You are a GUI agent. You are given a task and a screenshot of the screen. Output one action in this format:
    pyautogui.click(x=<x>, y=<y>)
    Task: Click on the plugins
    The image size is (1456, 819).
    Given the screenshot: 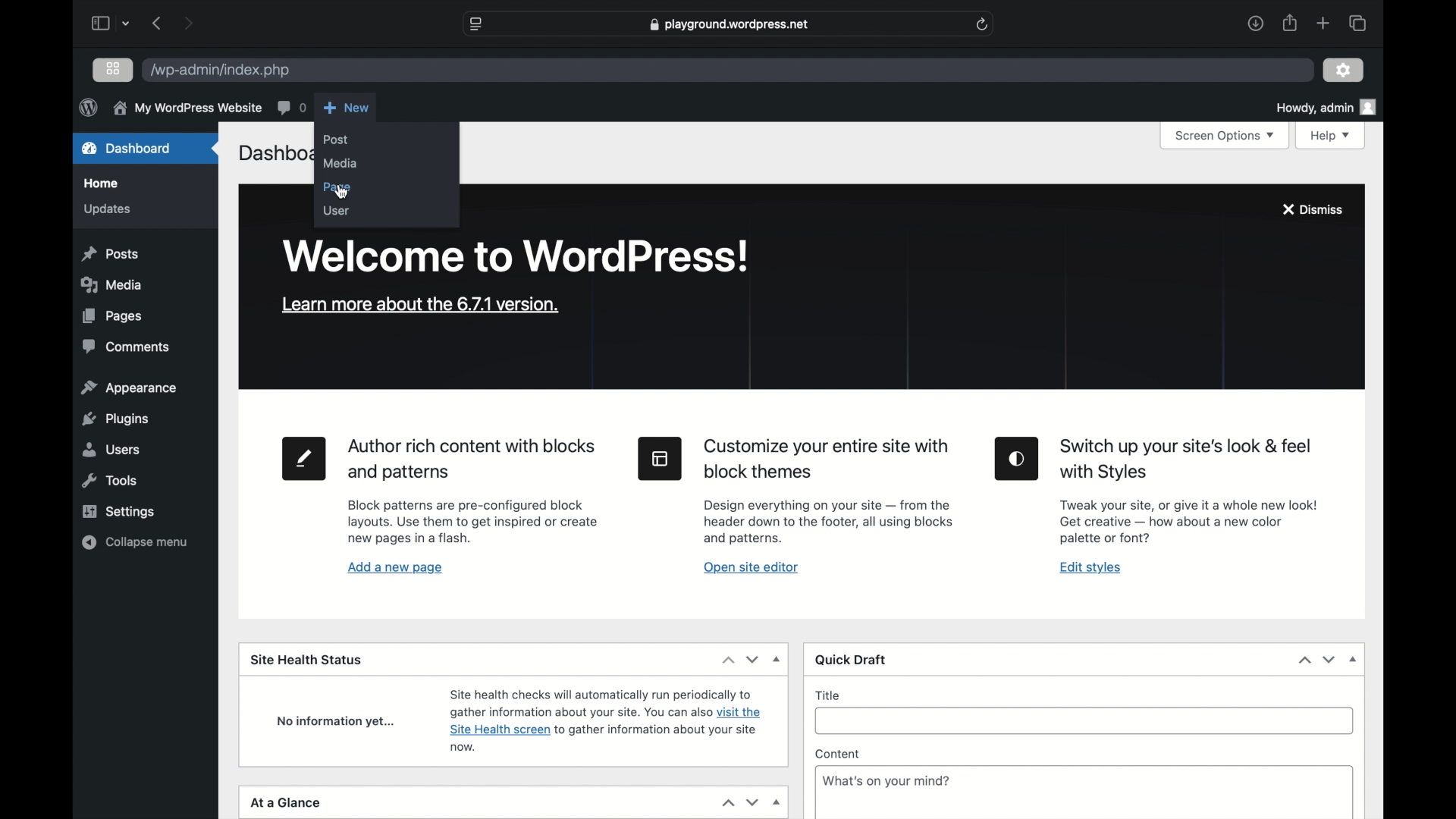 What is the action you would take?
    pyautogui.click(x=117, y=419)
    